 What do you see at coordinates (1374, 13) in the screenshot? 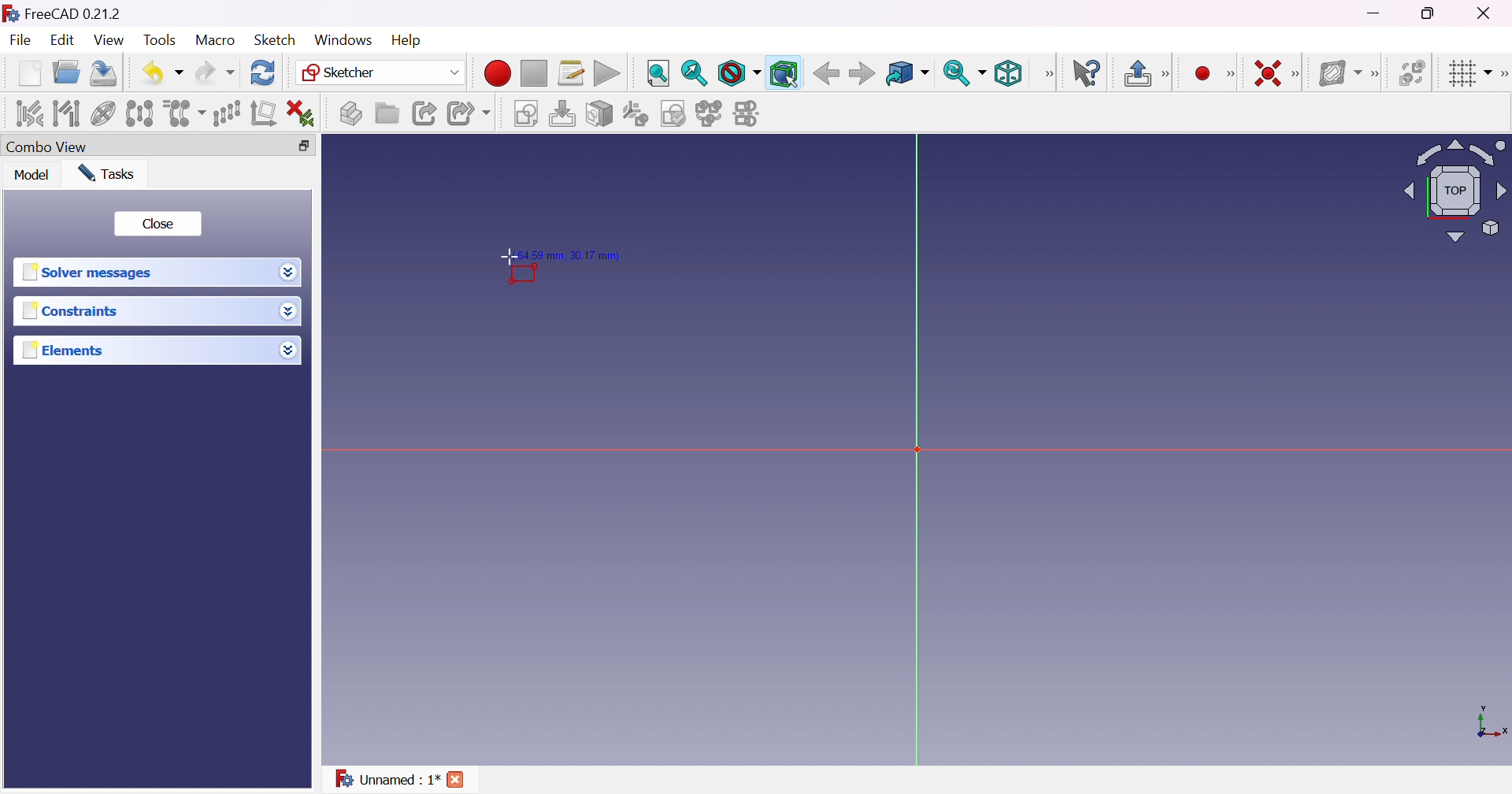
I see `Minimize` at bounding box center [1374, 13].